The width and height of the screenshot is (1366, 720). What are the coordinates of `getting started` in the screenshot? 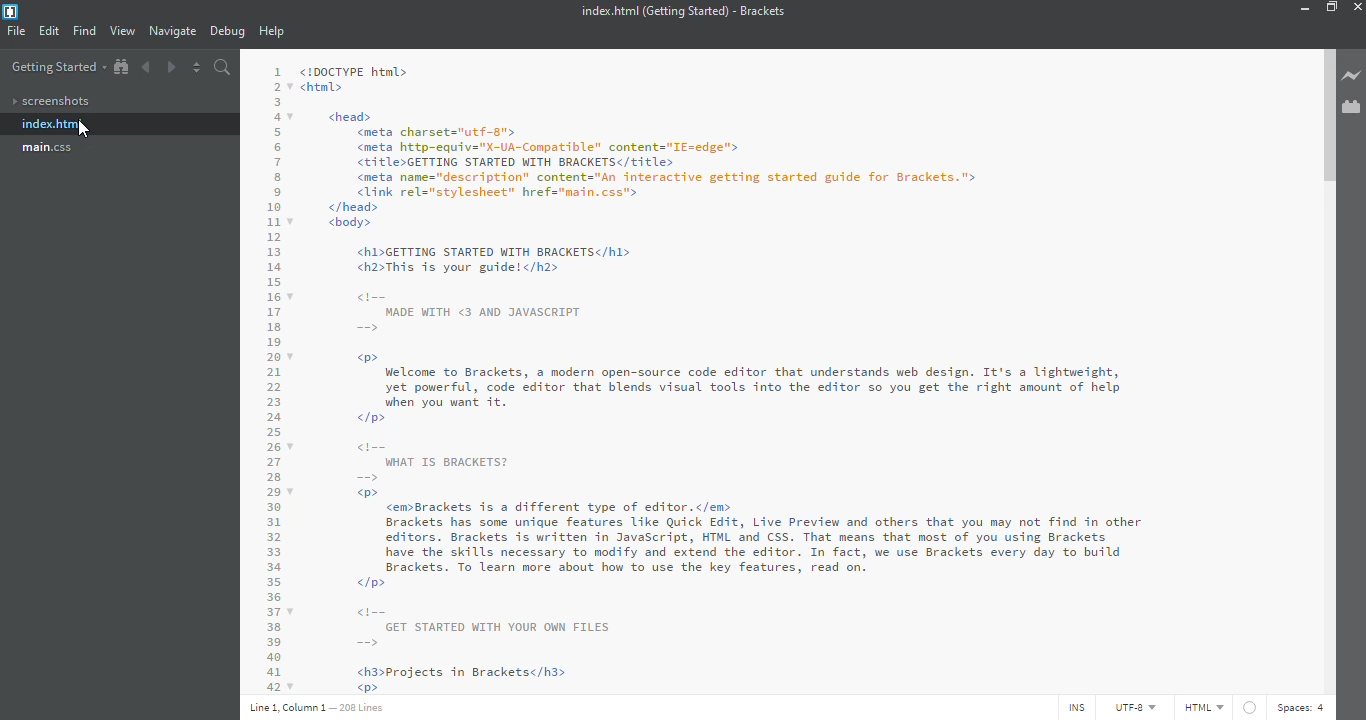 It's located at (57, 68).